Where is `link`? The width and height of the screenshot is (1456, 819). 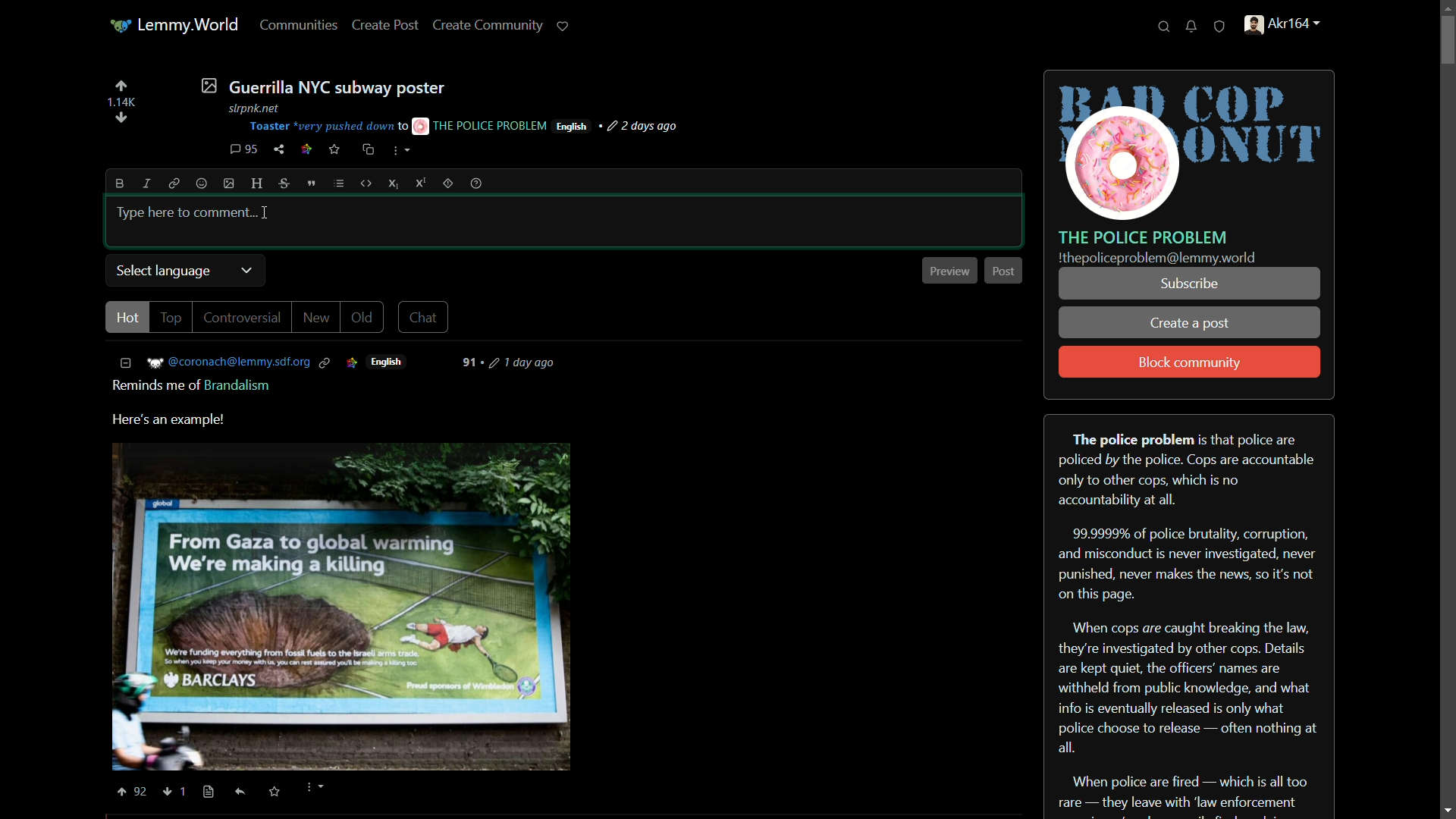 link is located at coordinates (328, 362).